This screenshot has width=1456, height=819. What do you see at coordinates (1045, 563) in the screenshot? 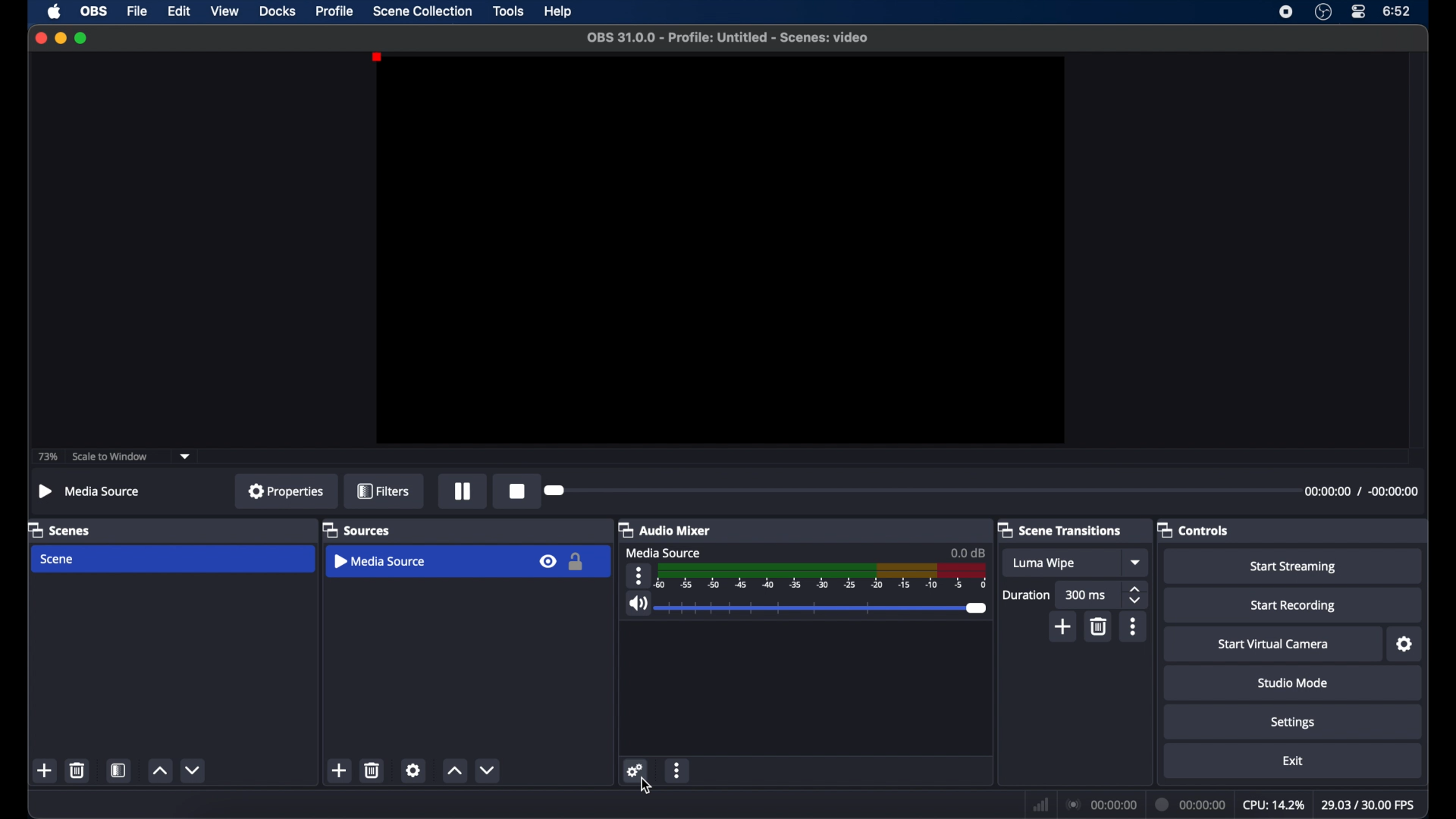
I see `luma` at bounding box center [1045, 563].